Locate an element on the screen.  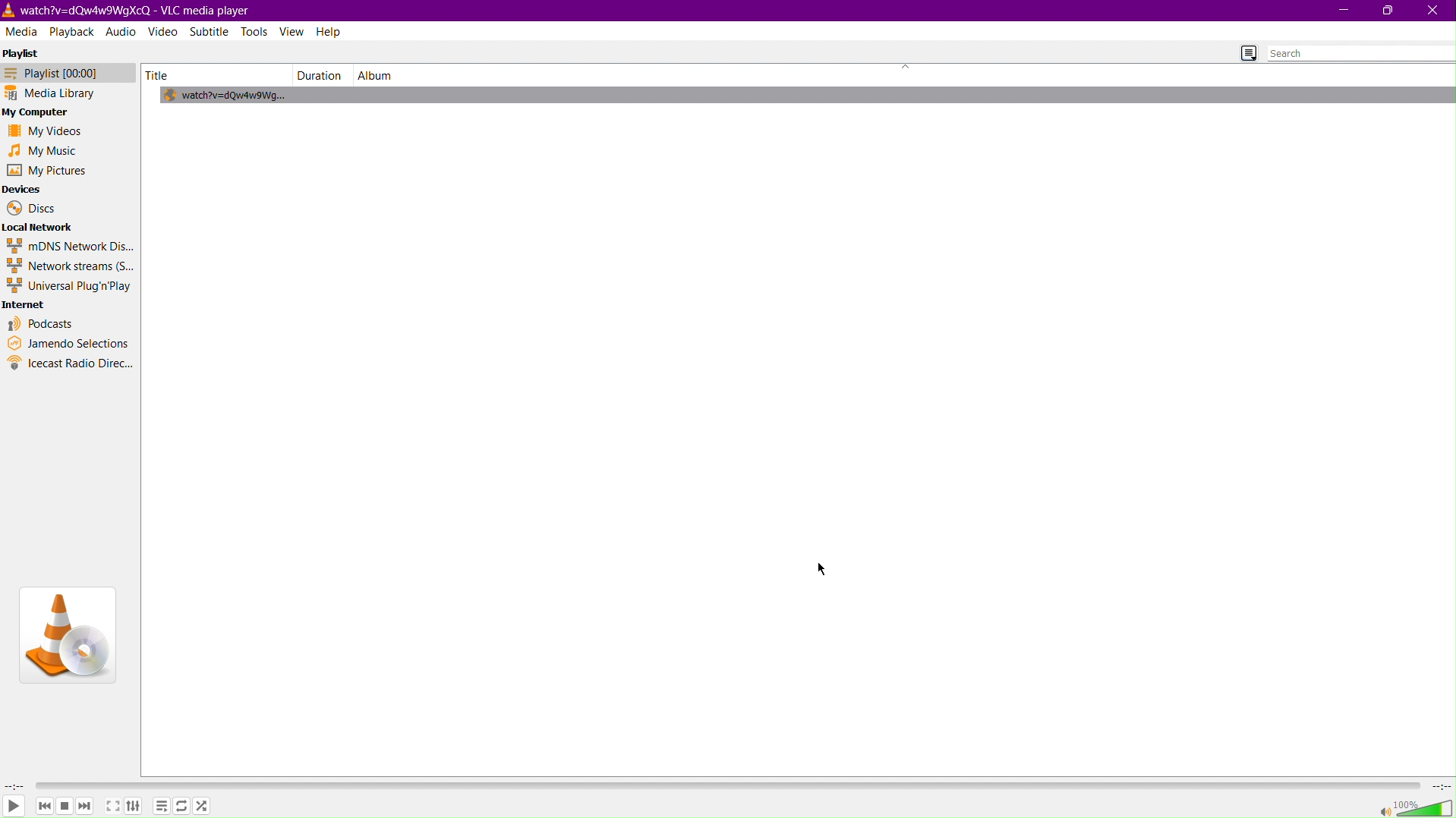
Playlist is located at coordinates (68, 75).